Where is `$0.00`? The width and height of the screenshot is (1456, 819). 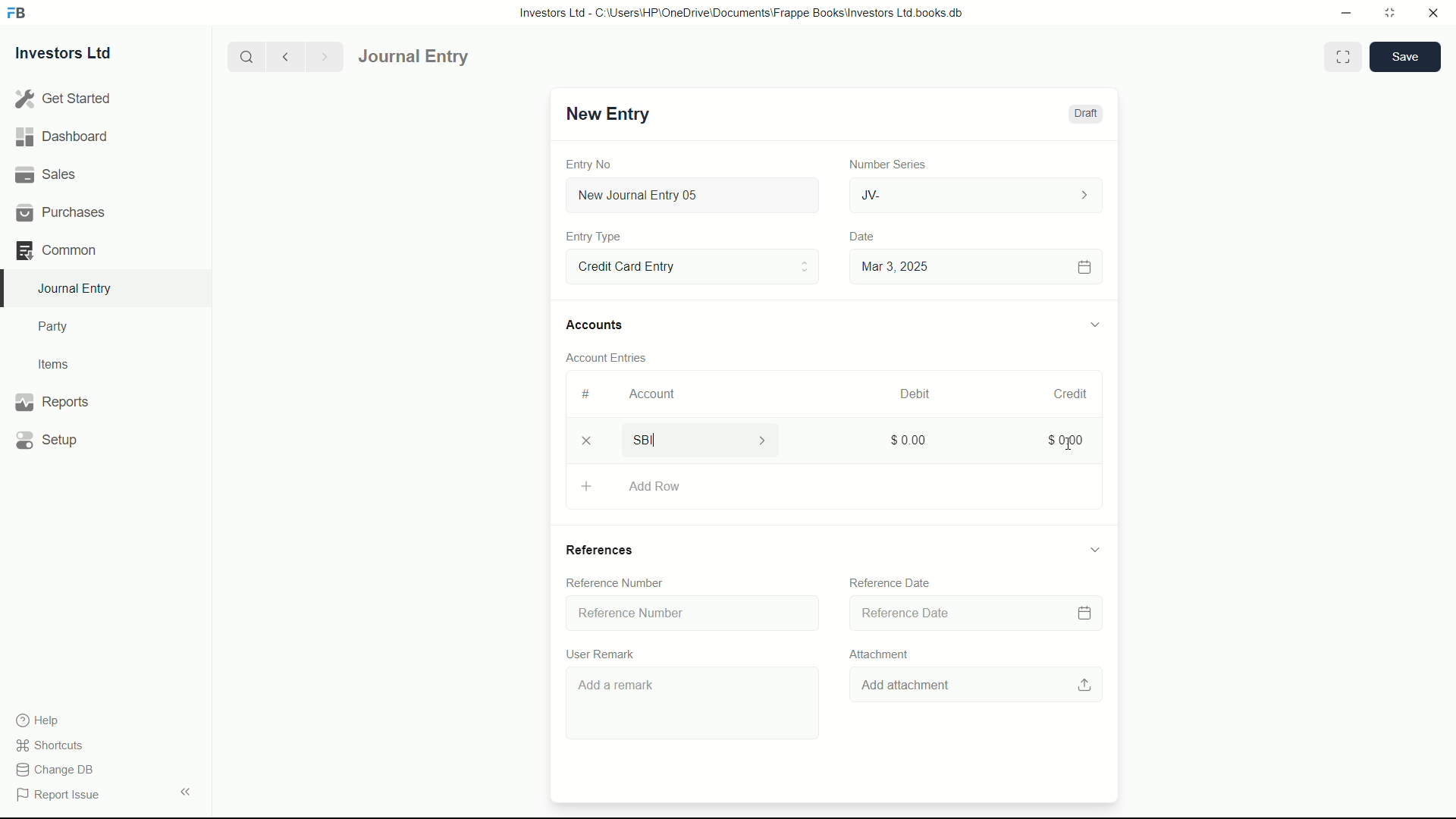 $0.00 is located at coordinates (1059, 438).